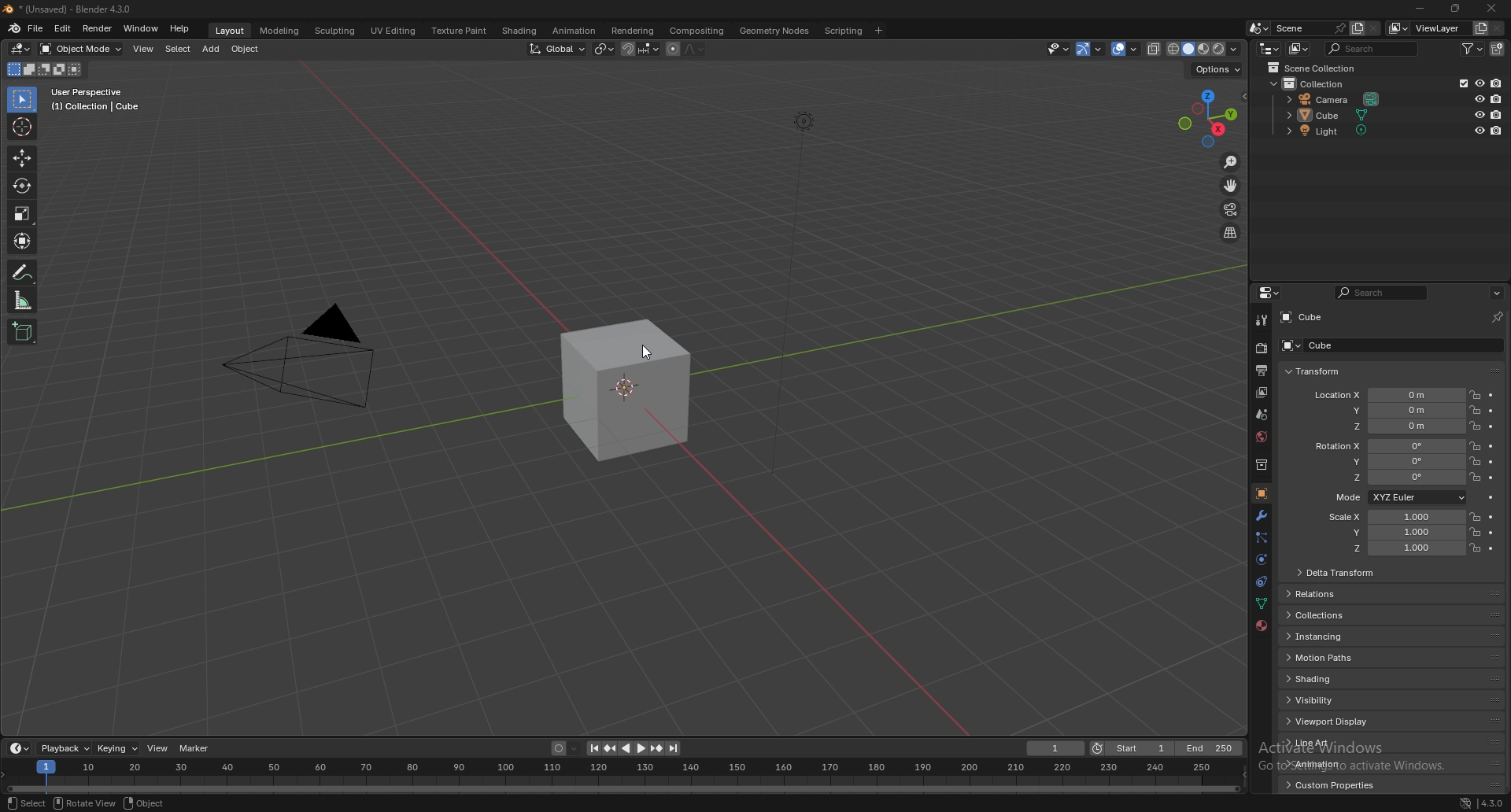 The height and width of the screenshot is (812, 1511). Describe the element at coordinates (1424, 28) in the screenshot. I see `view layer` at that location.